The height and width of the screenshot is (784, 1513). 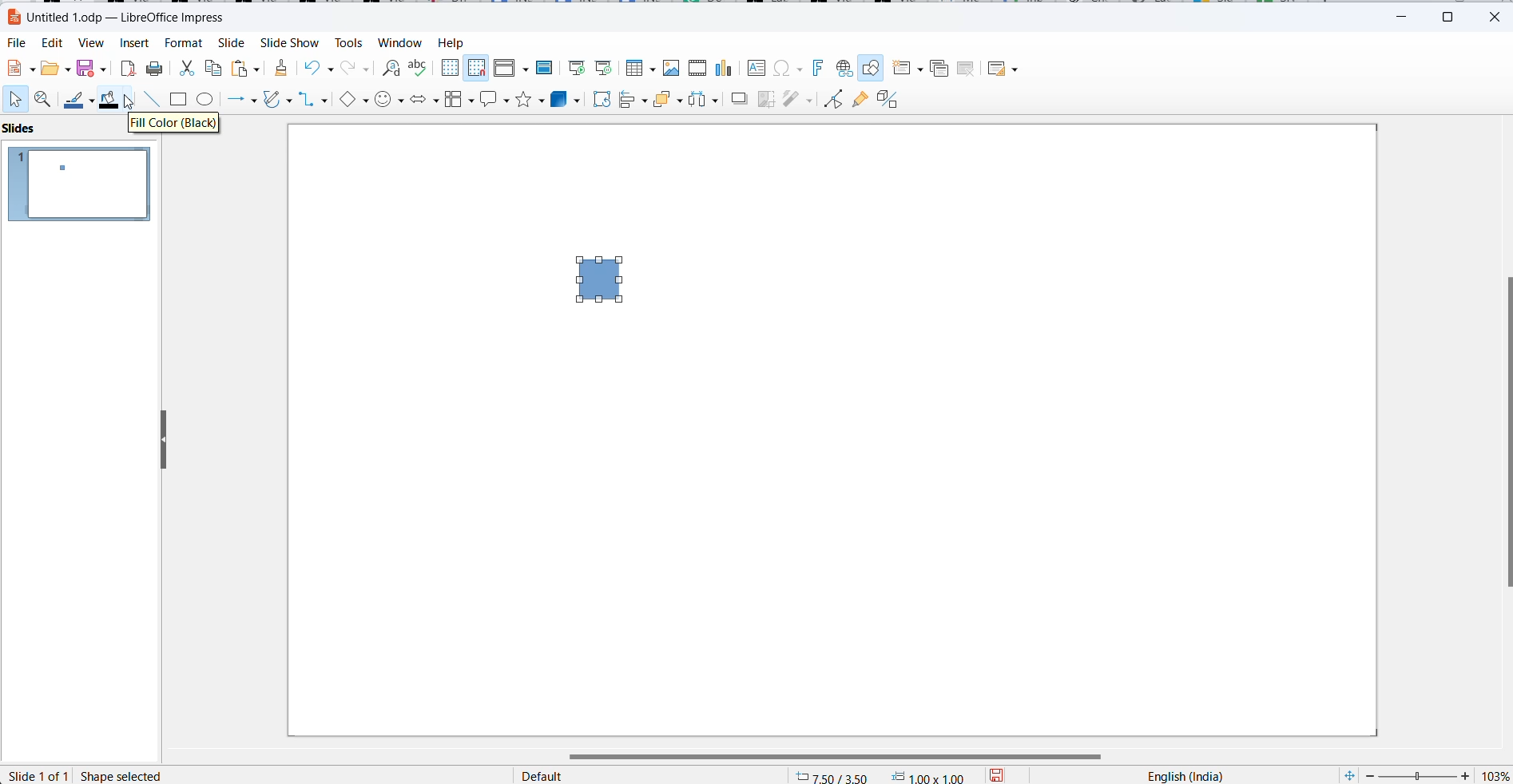 I want to click on toggle endpoint edit mode, so click(x=831, y=98).